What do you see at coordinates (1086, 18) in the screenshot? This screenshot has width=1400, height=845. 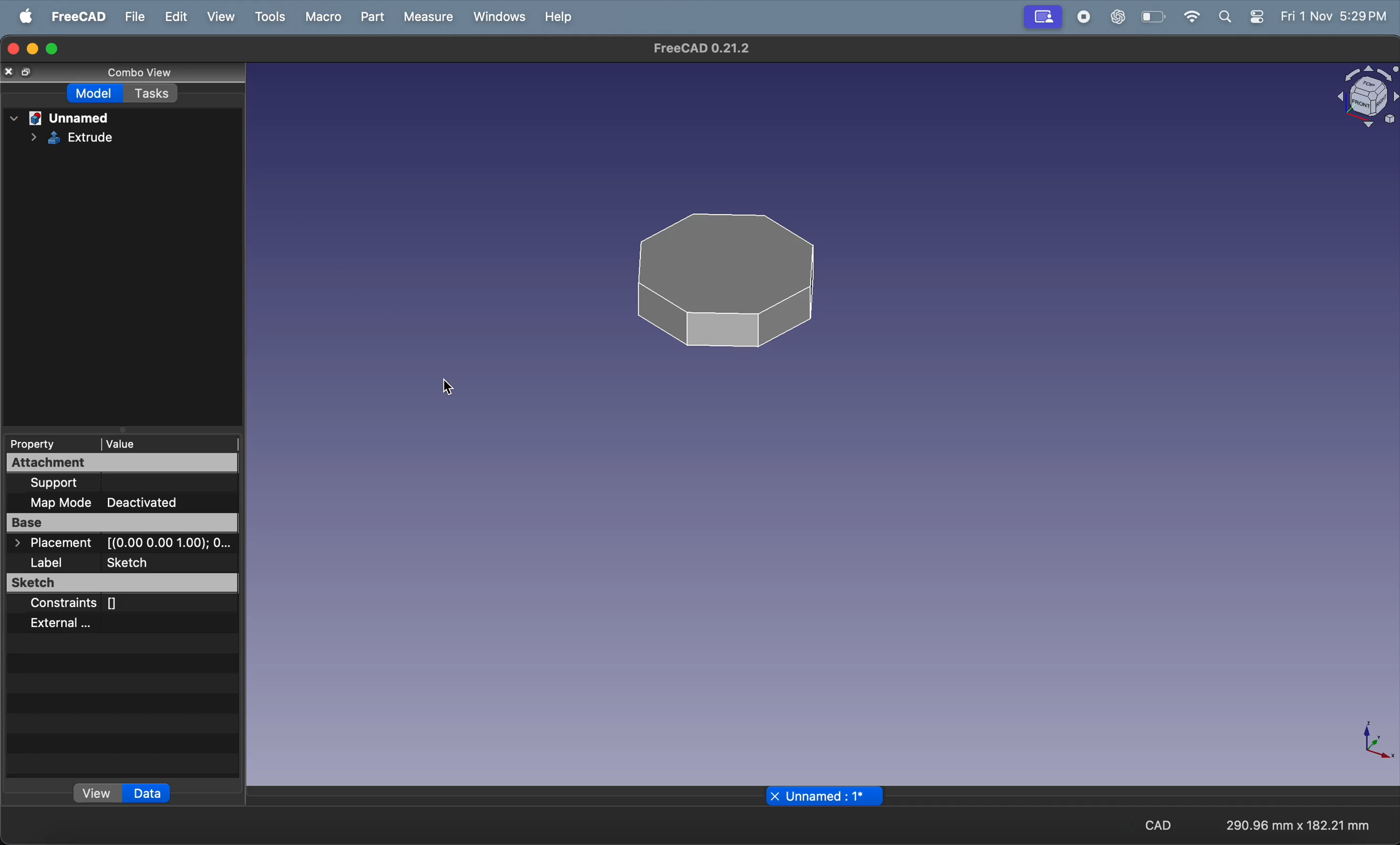 I see `record` at bounding box center [1086, 18].